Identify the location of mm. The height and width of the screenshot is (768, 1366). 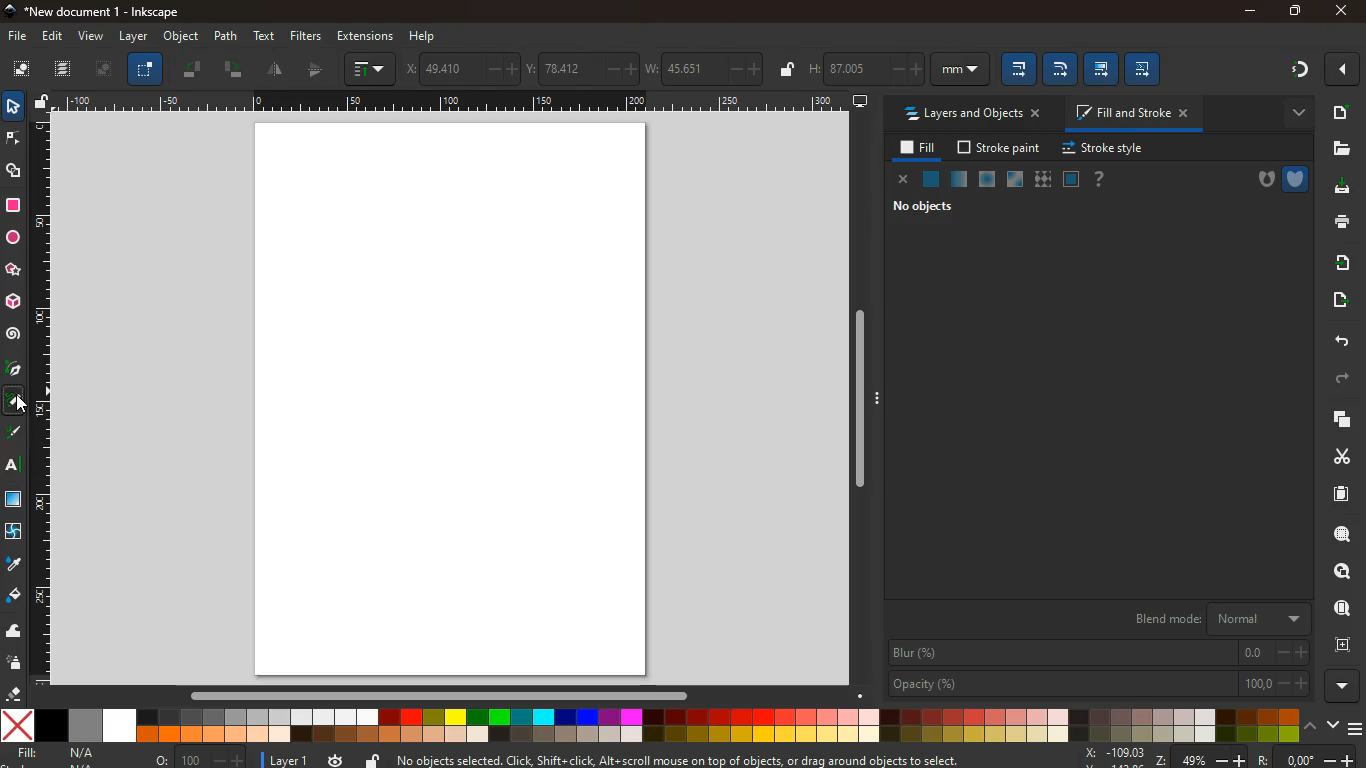
(959, 69).